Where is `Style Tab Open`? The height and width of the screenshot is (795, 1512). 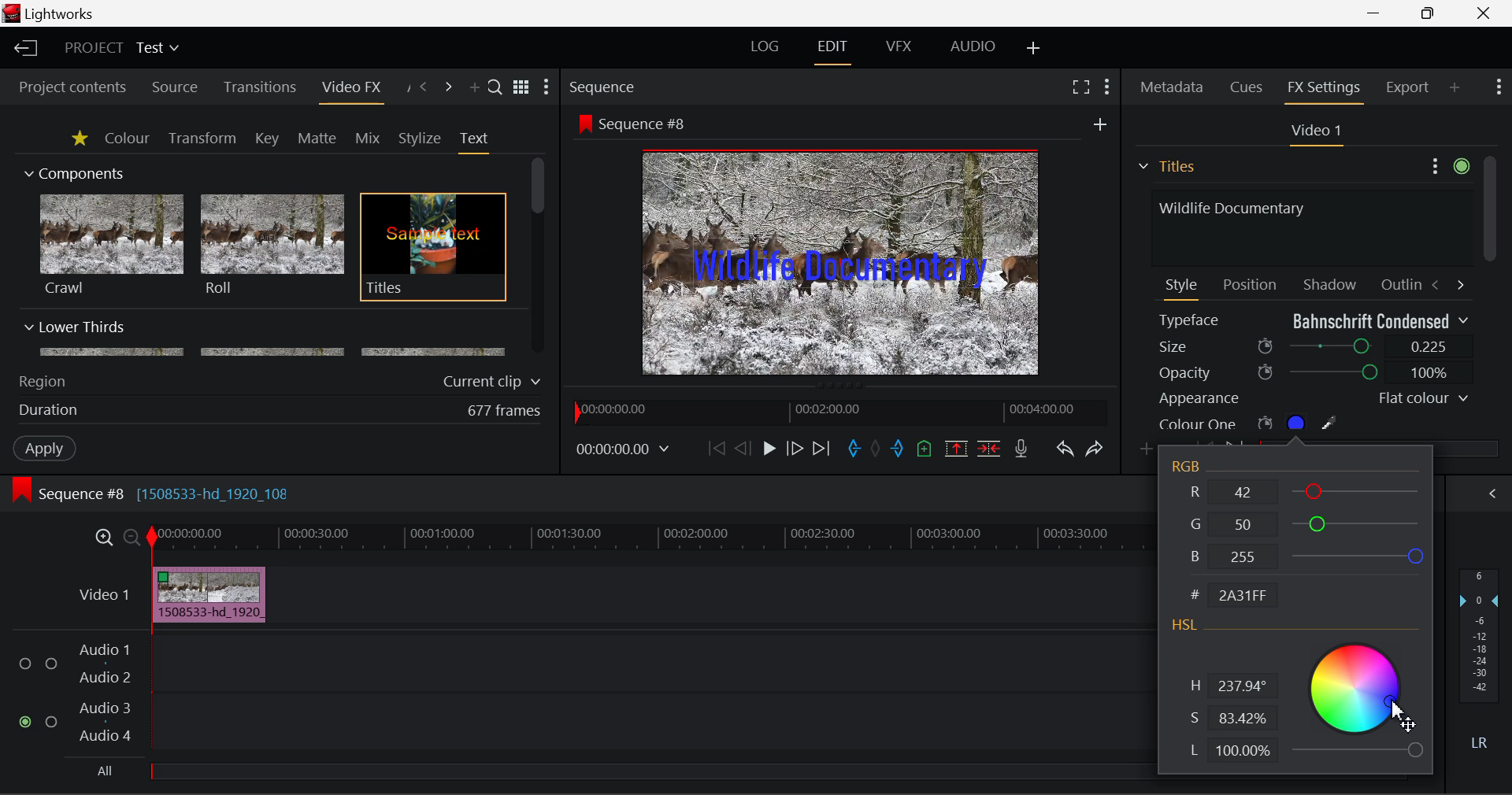 Style Tab Open is located at coordinates (1183, 288).